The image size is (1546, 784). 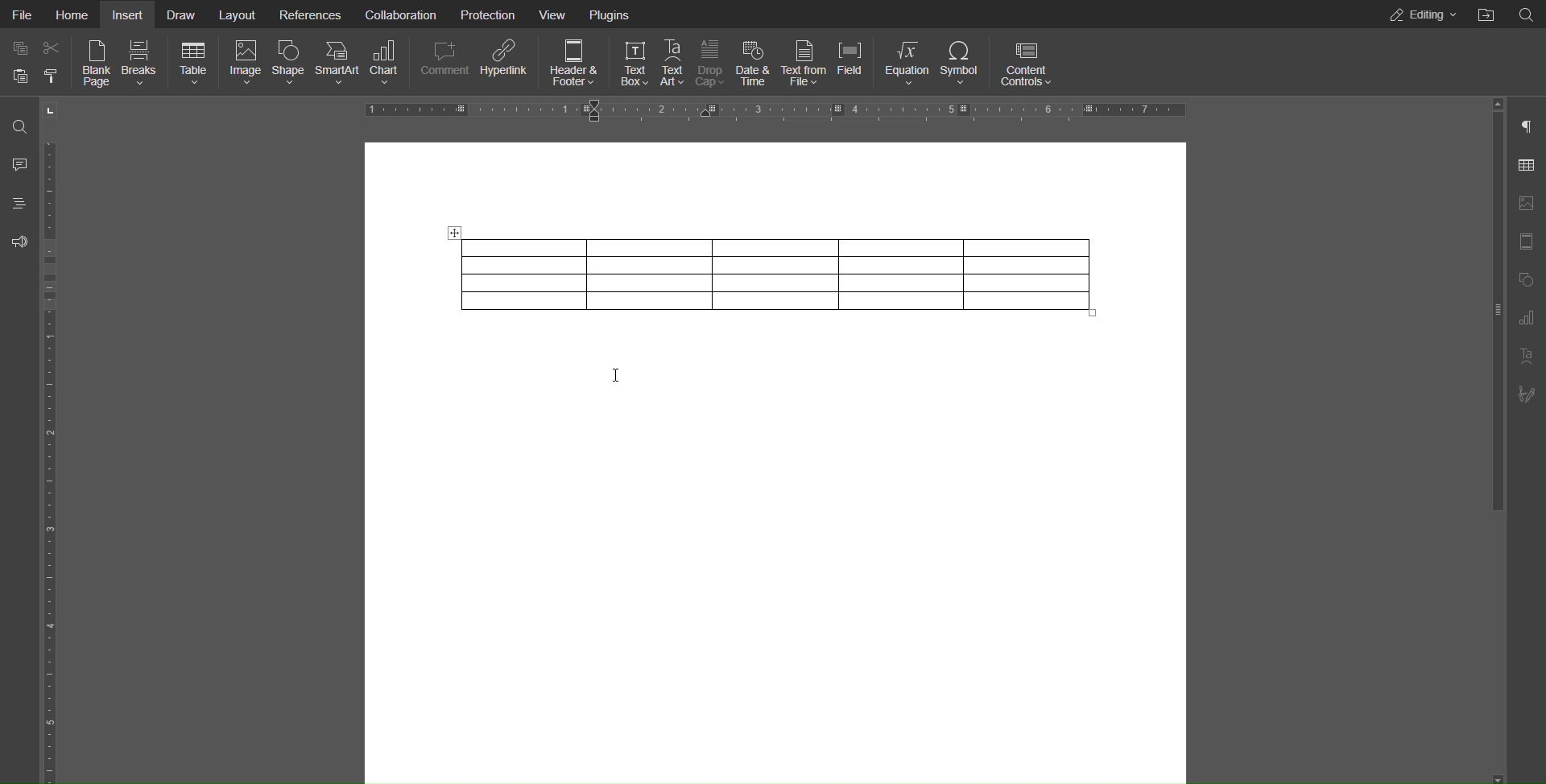 What do you see at coordinates (19, 126) in the screenshot?
I see `Search` at bounding box center [19, 126].